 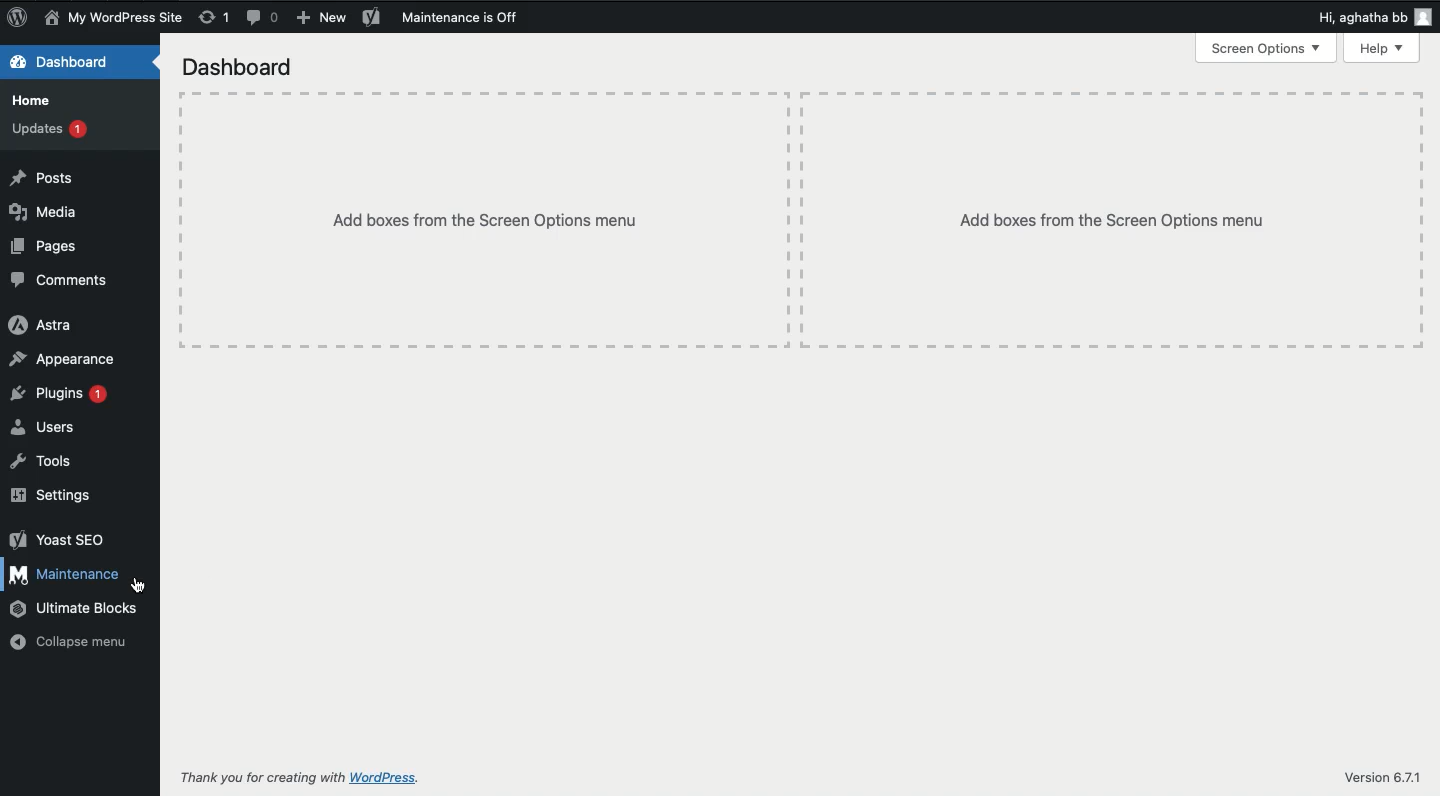 I want to click on Settings, so click(x=56, y=495).